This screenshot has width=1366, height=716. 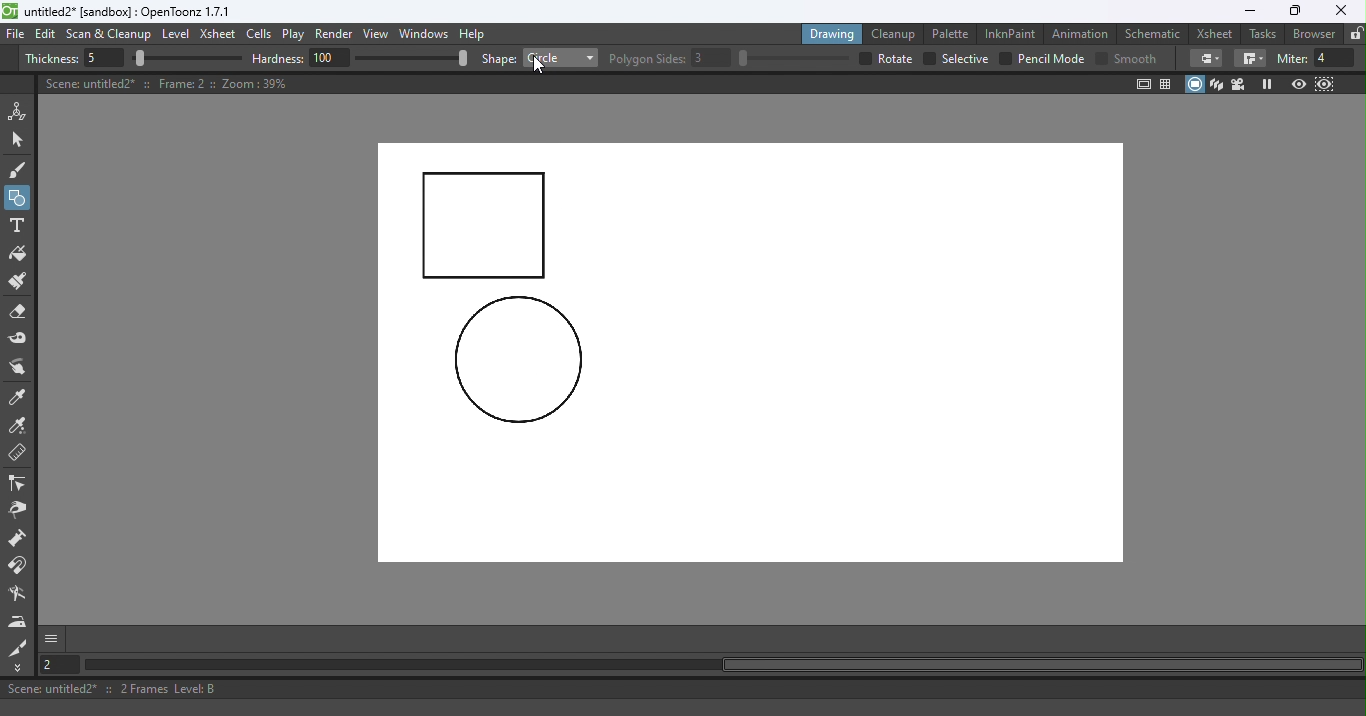 What do you see at coordinates (18, 455) in the screenshot?
I see `Ruler tool` at bounding box center [18, 455].